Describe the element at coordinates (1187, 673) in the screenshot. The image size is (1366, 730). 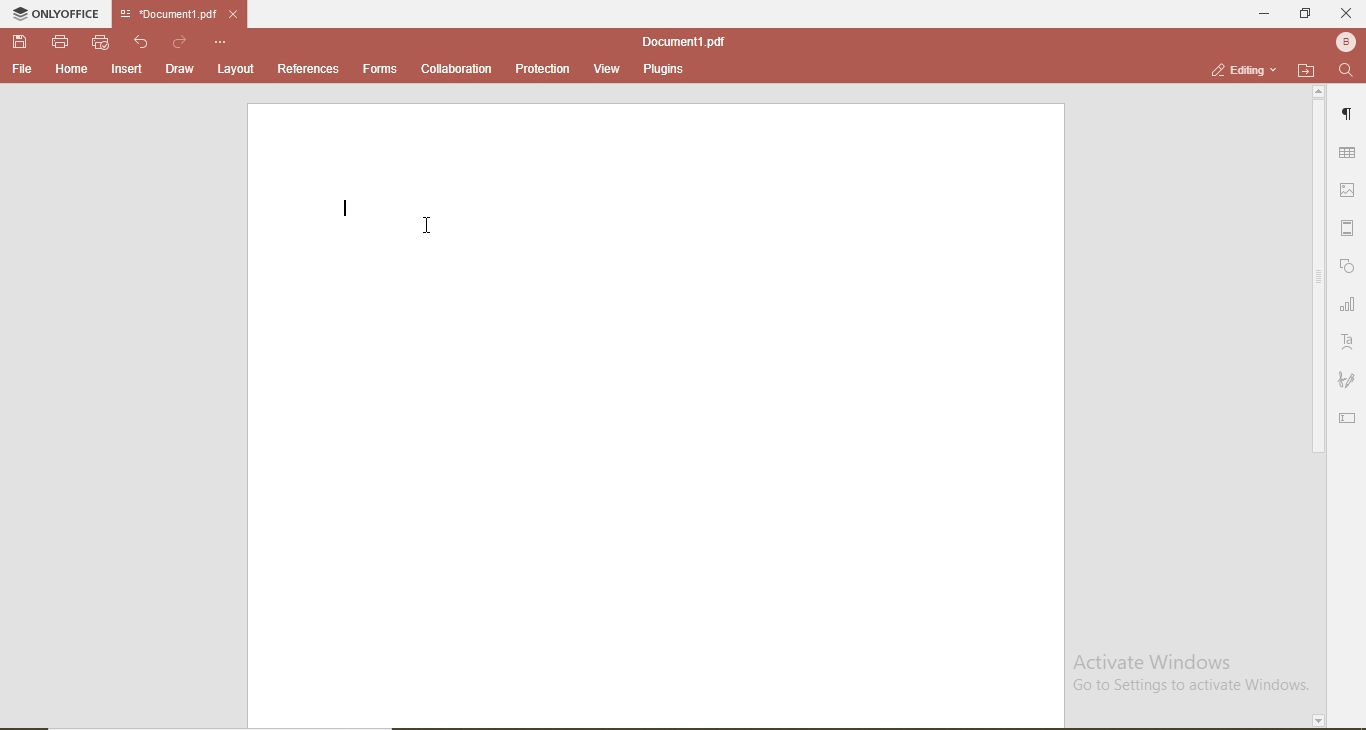
I see `Activate Windows
Go to Settings to activate Windows.` at that location.